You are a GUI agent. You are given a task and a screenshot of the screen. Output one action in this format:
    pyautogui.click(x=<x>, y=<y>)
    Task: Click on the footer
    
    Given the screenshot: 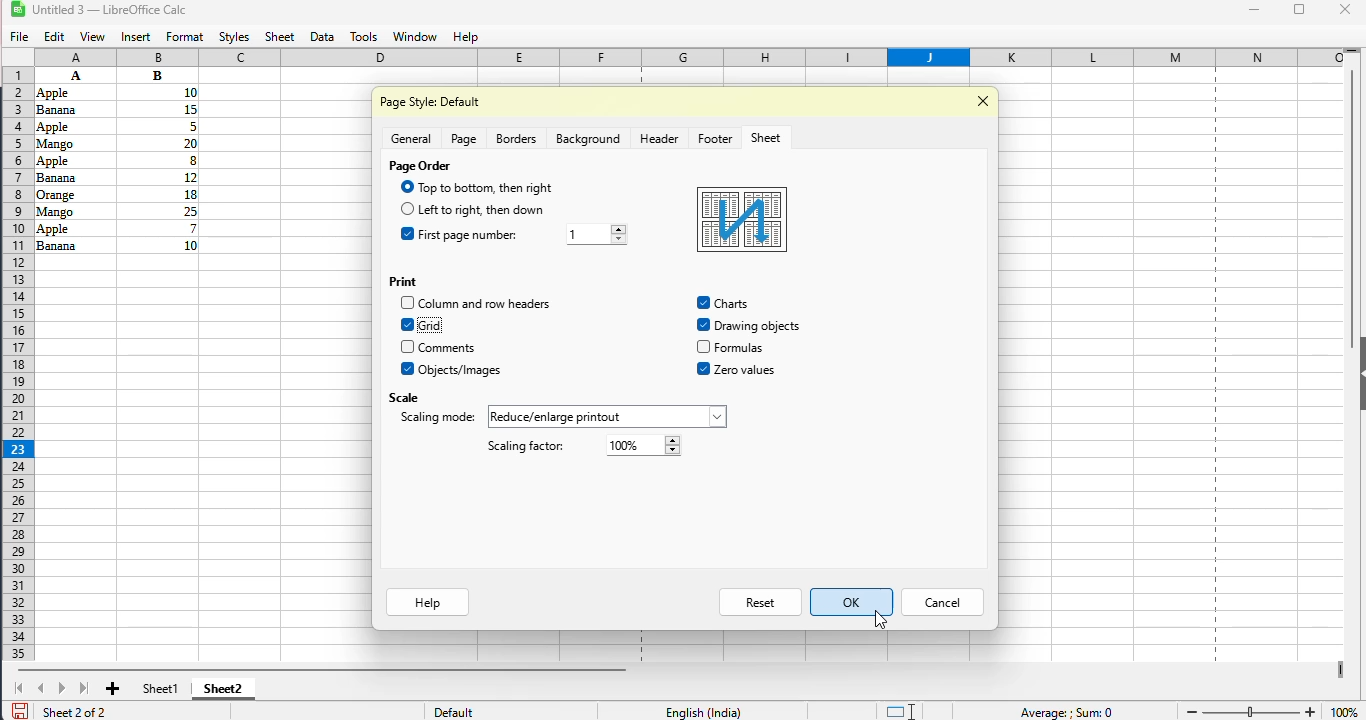 What is the action you would take?
    pyautogui.click(x=715, y=138)
    